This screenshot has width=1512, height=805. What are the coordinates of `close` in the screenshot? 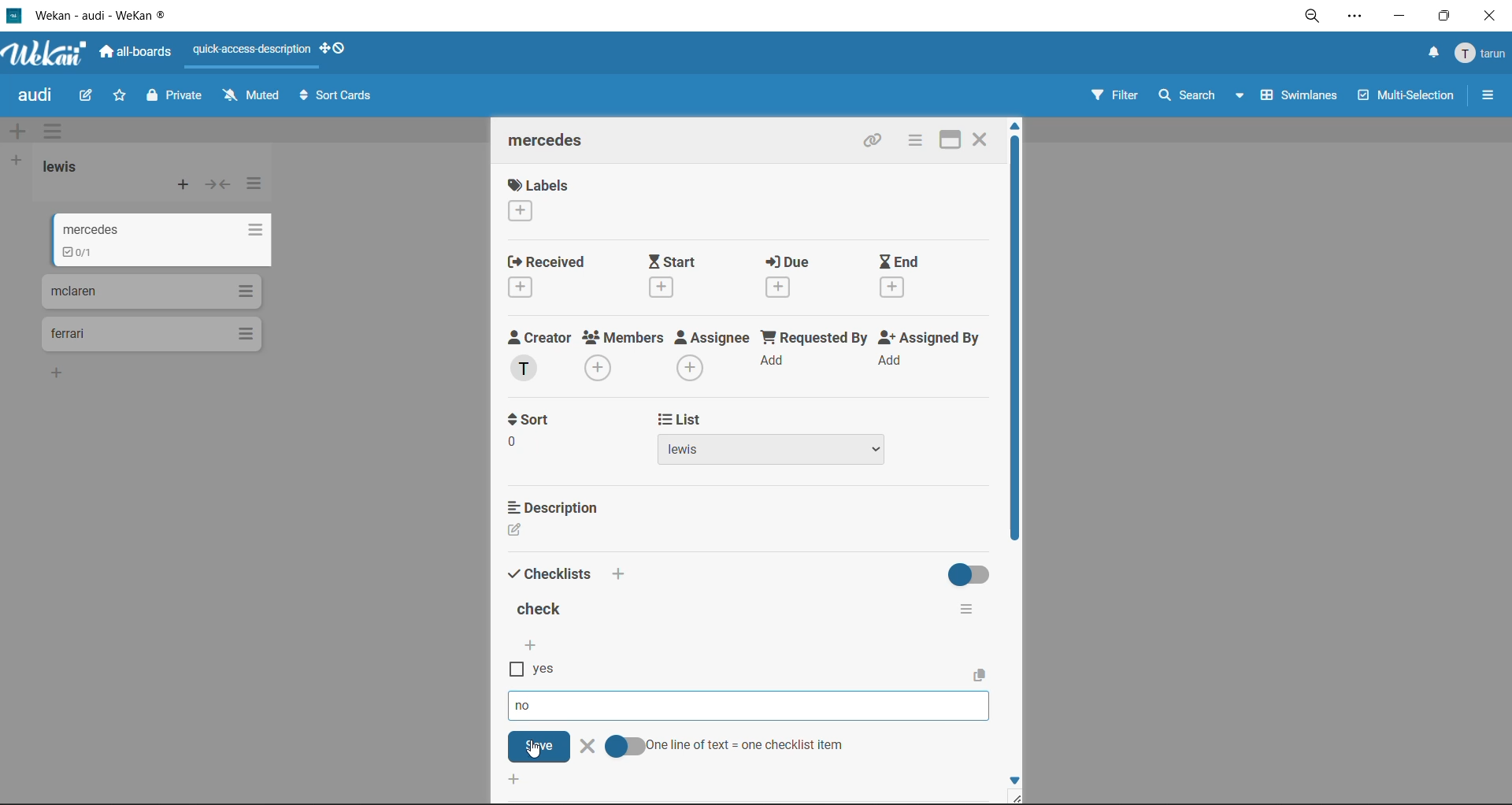 It's located at (981, 137).